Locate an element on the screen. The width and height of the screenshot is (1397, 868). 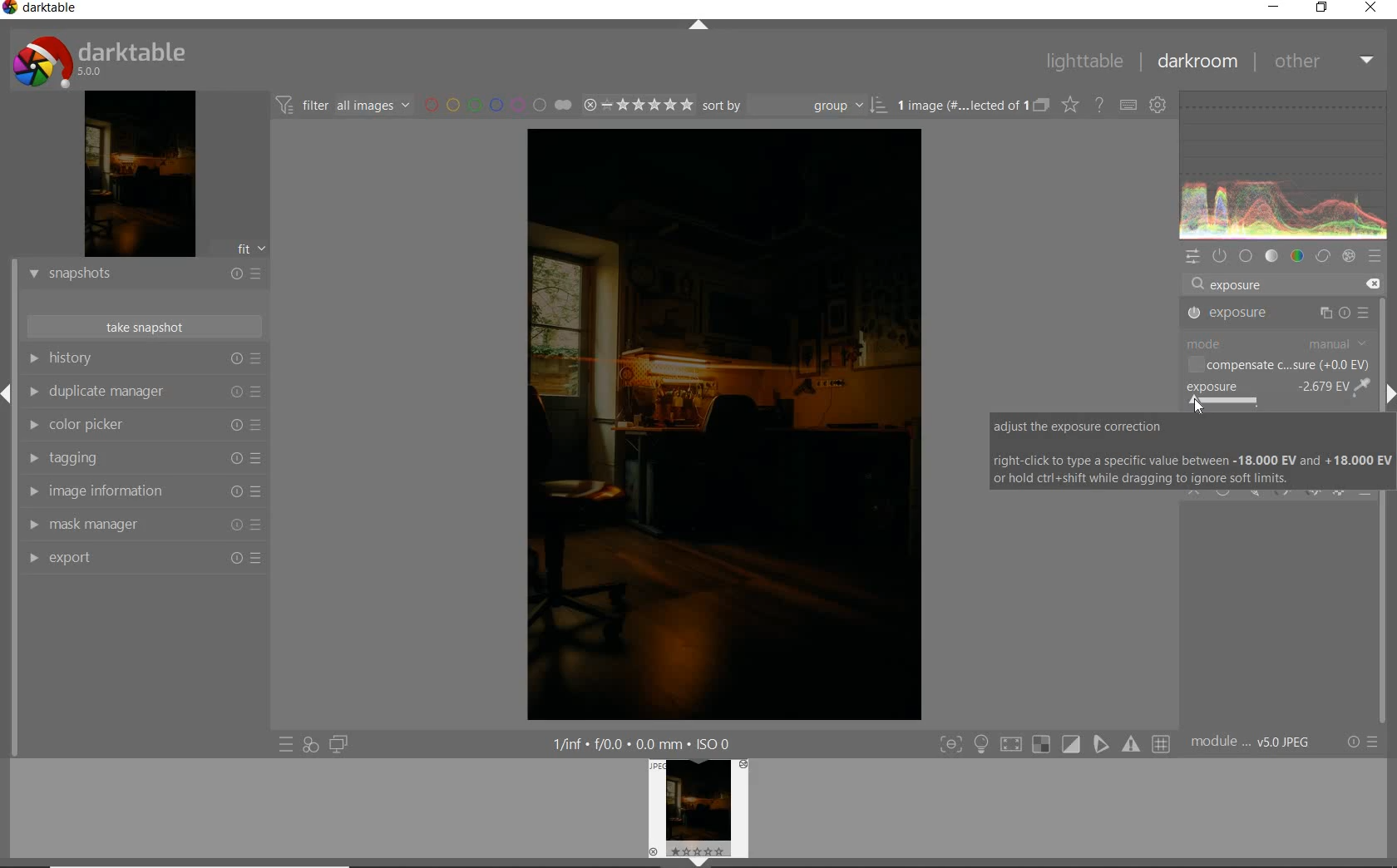
adjust the exposure correction
right-click to type a specific value between -18.000 EV and +18.000 EV
or hold ctrl+shift while dragging to ignore soft limits. is located at coordinates (1192, 451).